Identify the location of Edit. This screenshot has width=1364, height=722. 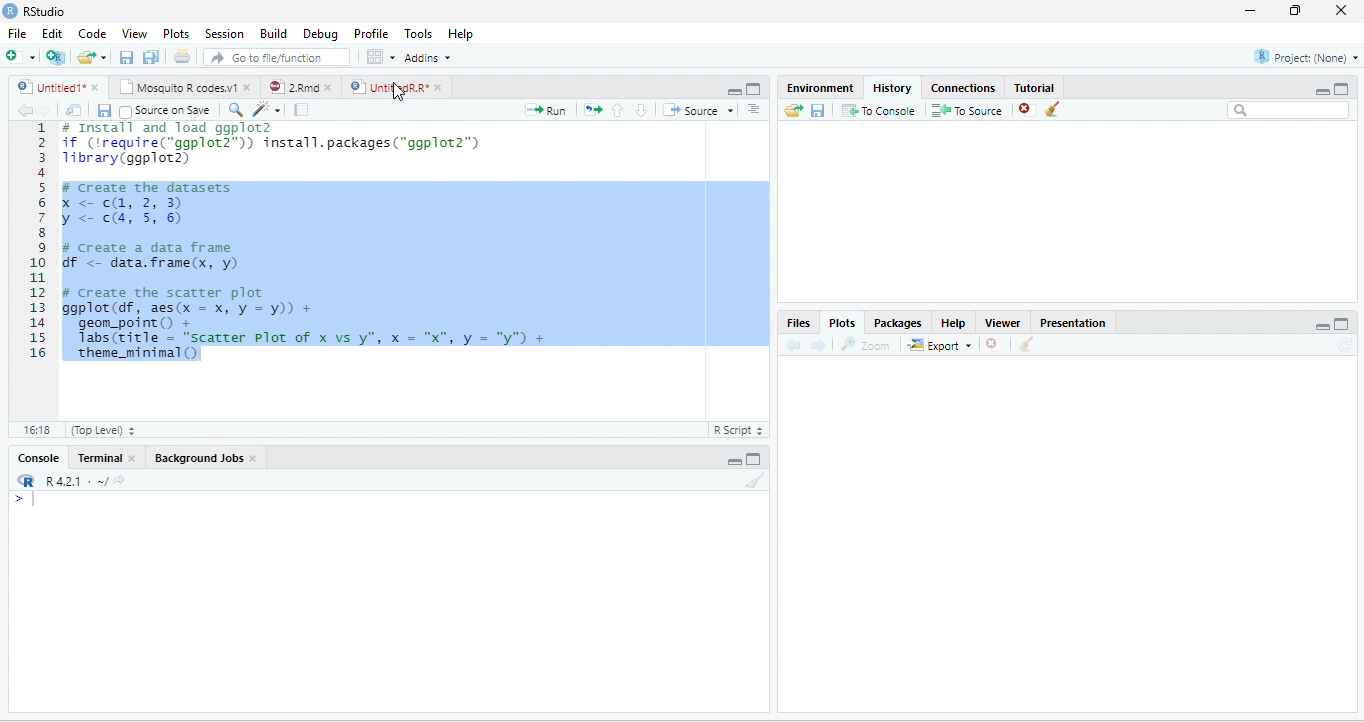
(51, 33).